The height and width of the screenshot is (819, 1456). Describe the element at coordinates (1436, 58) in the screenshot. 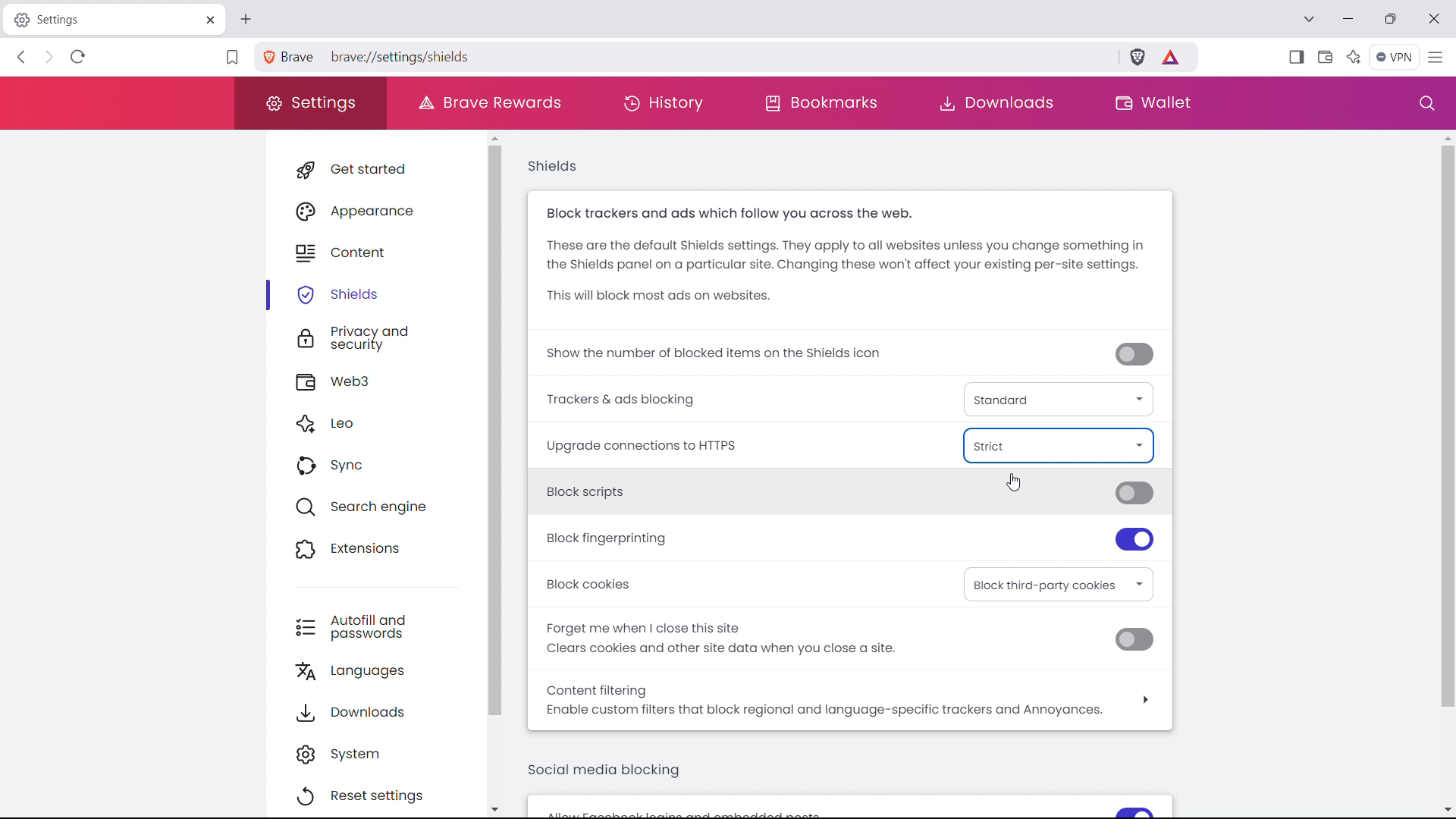

I see `customize and control` at that location.